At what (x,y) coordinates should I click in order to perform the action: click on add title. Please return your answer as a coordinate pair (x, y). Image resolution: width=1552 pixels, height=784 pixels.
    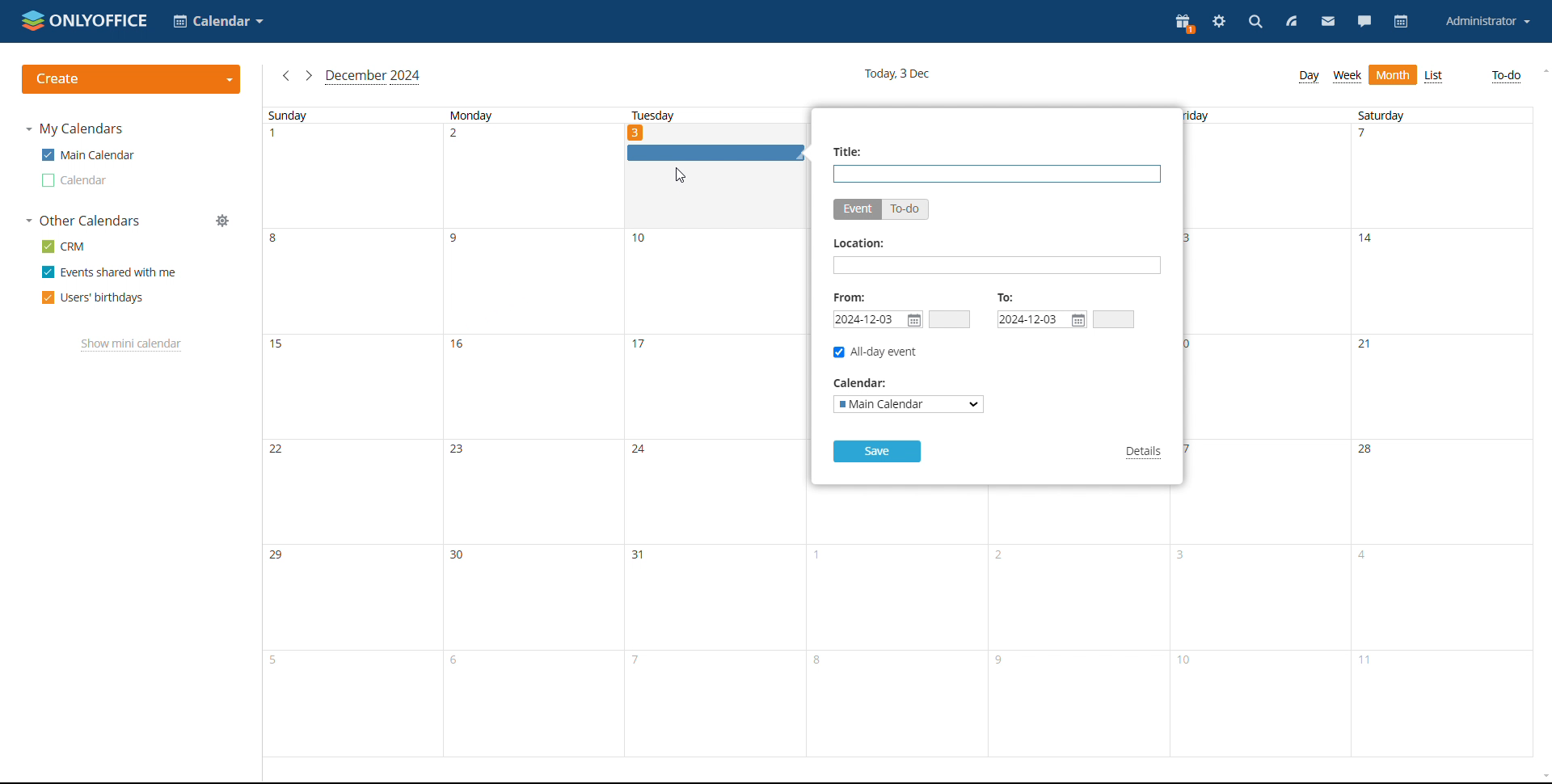
    Looking at the image, I should click on (997, 174).